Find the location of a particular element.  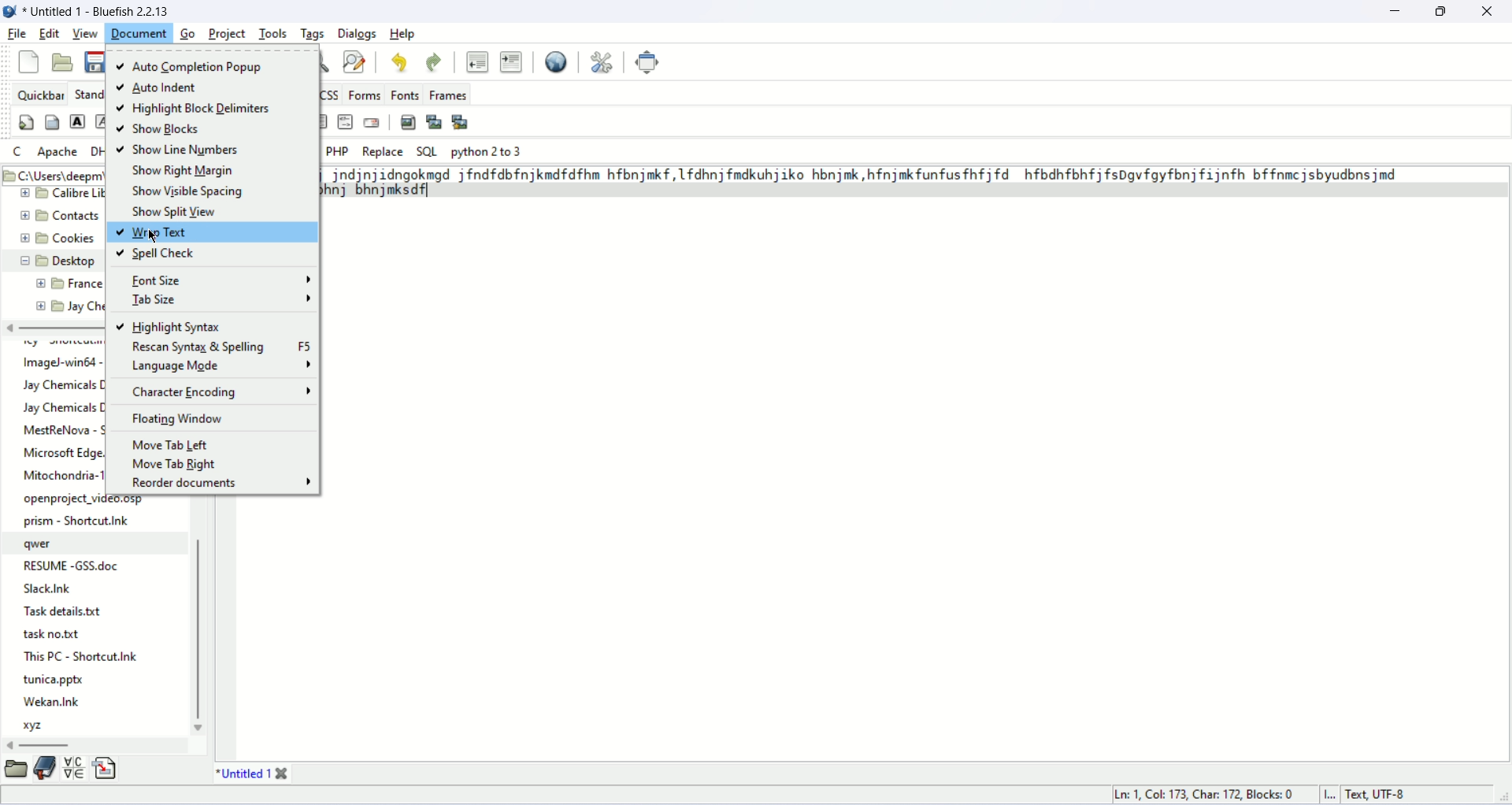

character encoding is located at coordinates (225, 392).